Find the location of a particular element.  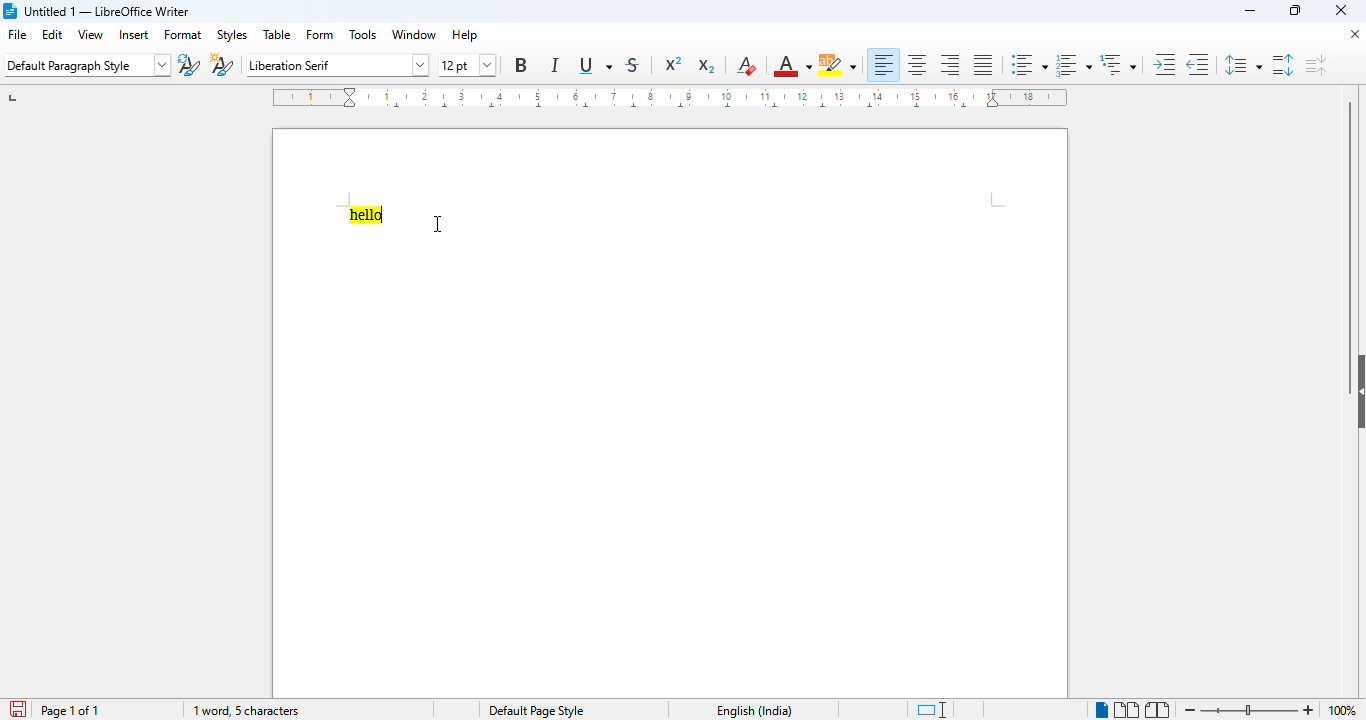

dropdown is located at coordinates (424, 64).